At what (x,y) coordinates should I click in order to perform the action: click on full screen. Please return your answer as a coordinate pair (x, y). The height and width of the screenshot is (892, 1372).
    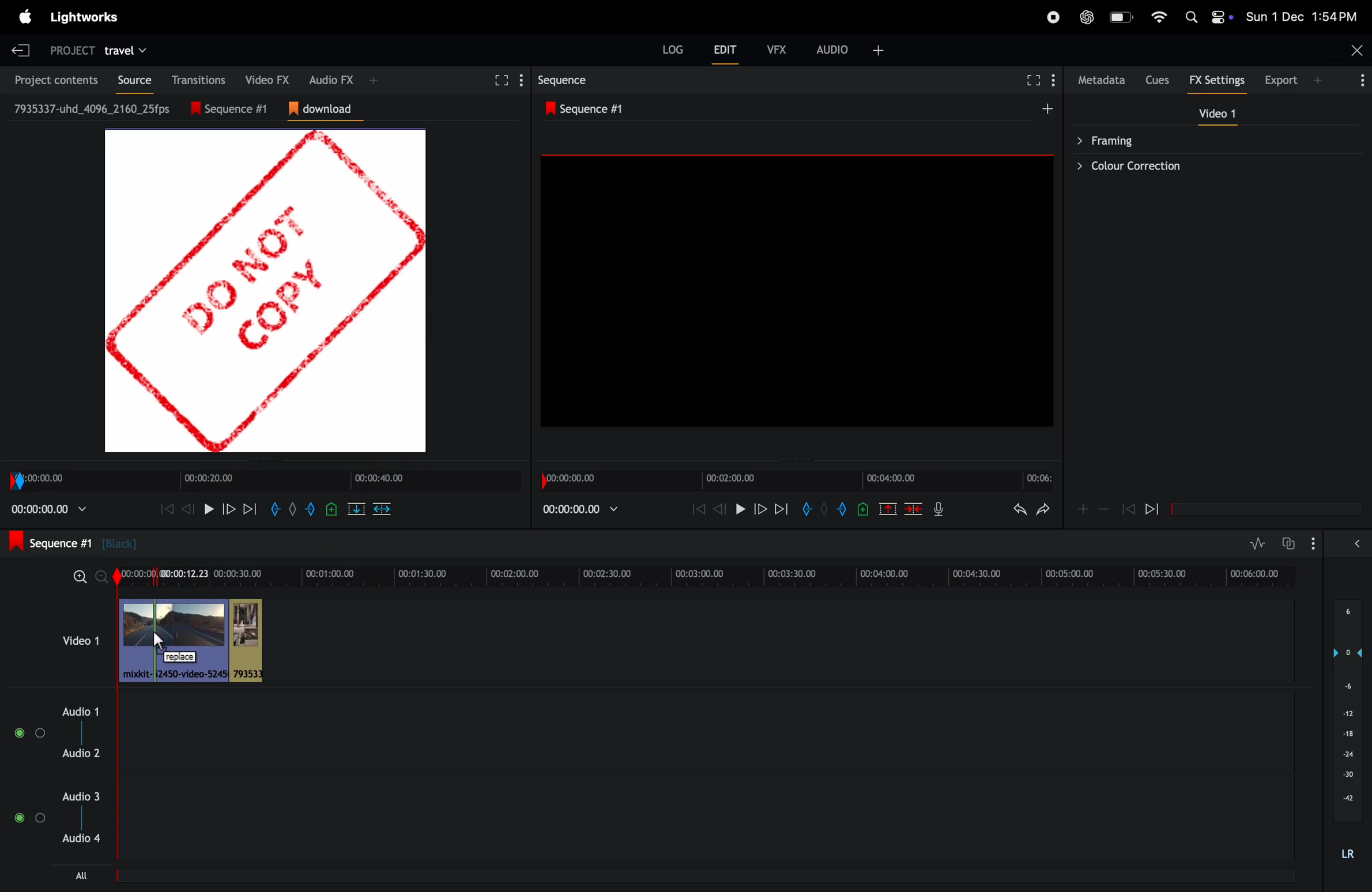
    Looking at the image, I should click on (499, 81).